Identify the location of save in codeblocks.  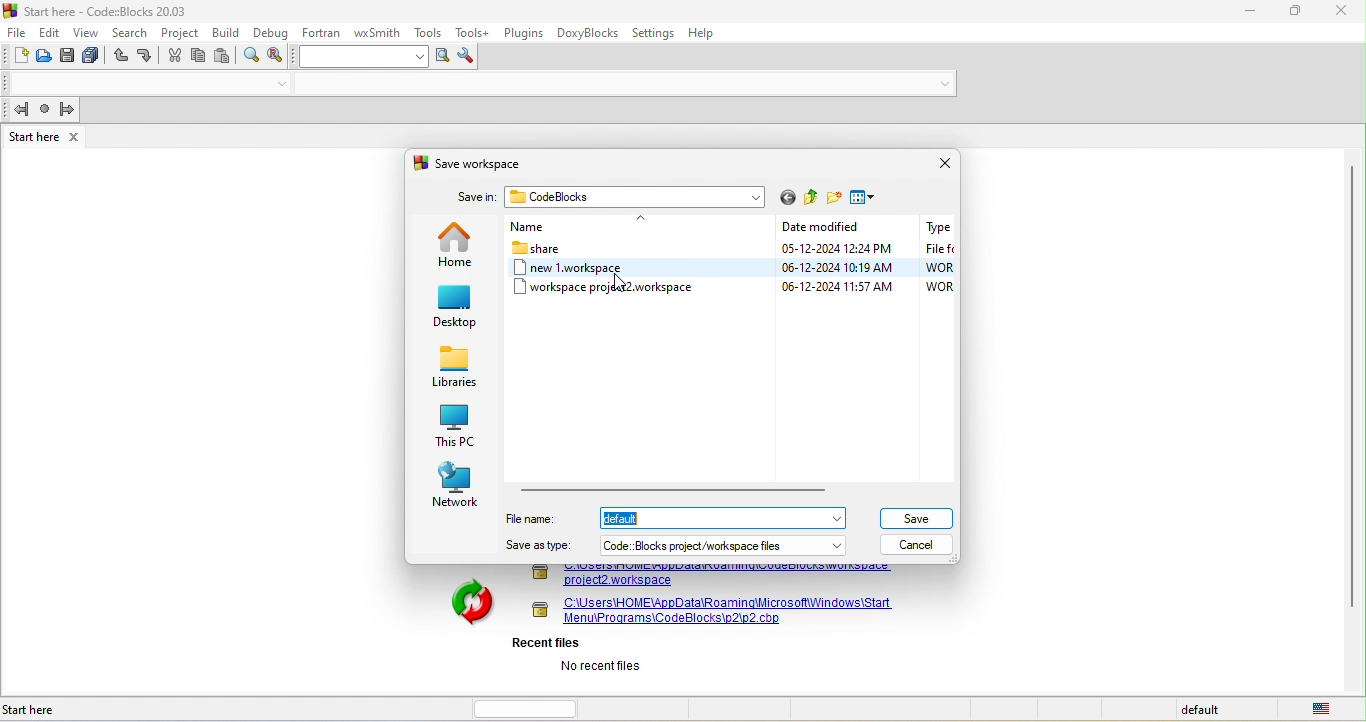
(605, 198).